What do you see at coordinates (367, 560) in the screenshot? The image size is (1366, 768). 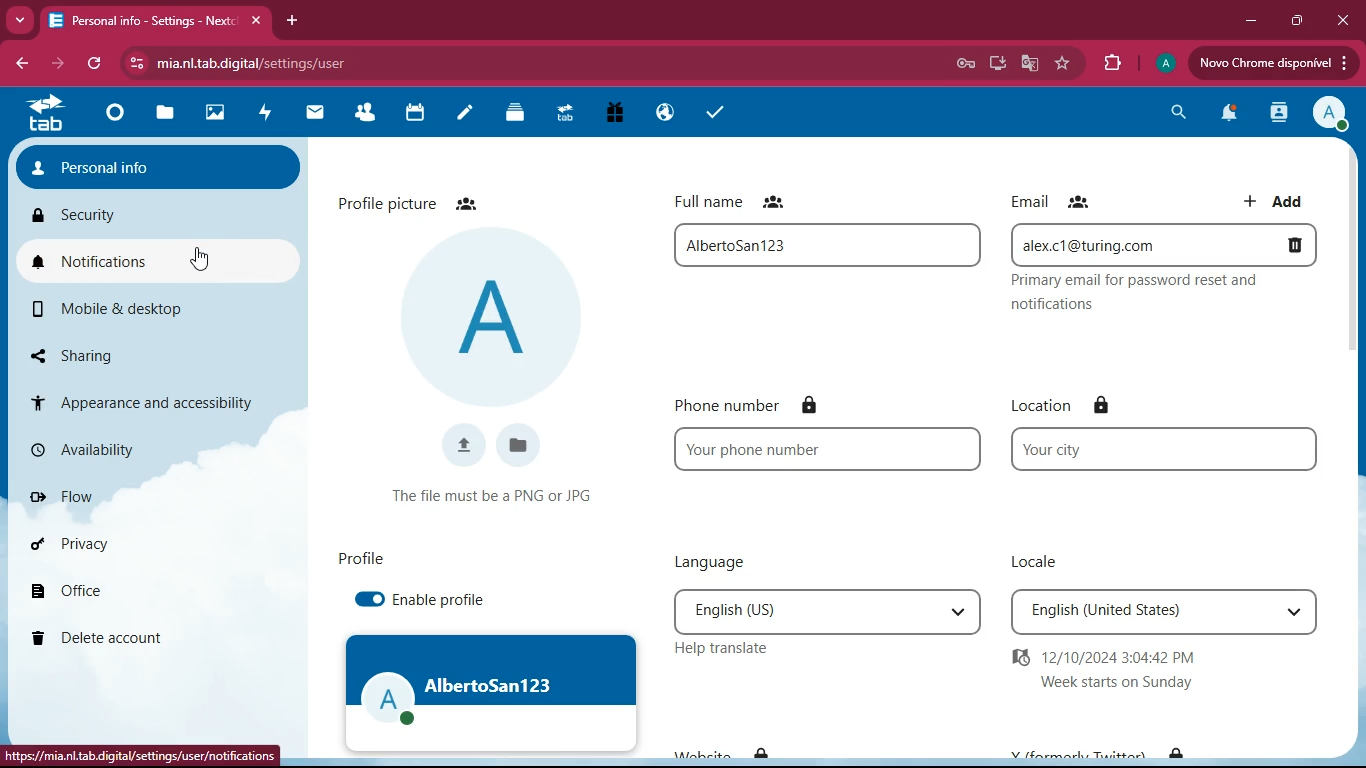 I see `profile` at bounding box center [367, 560].